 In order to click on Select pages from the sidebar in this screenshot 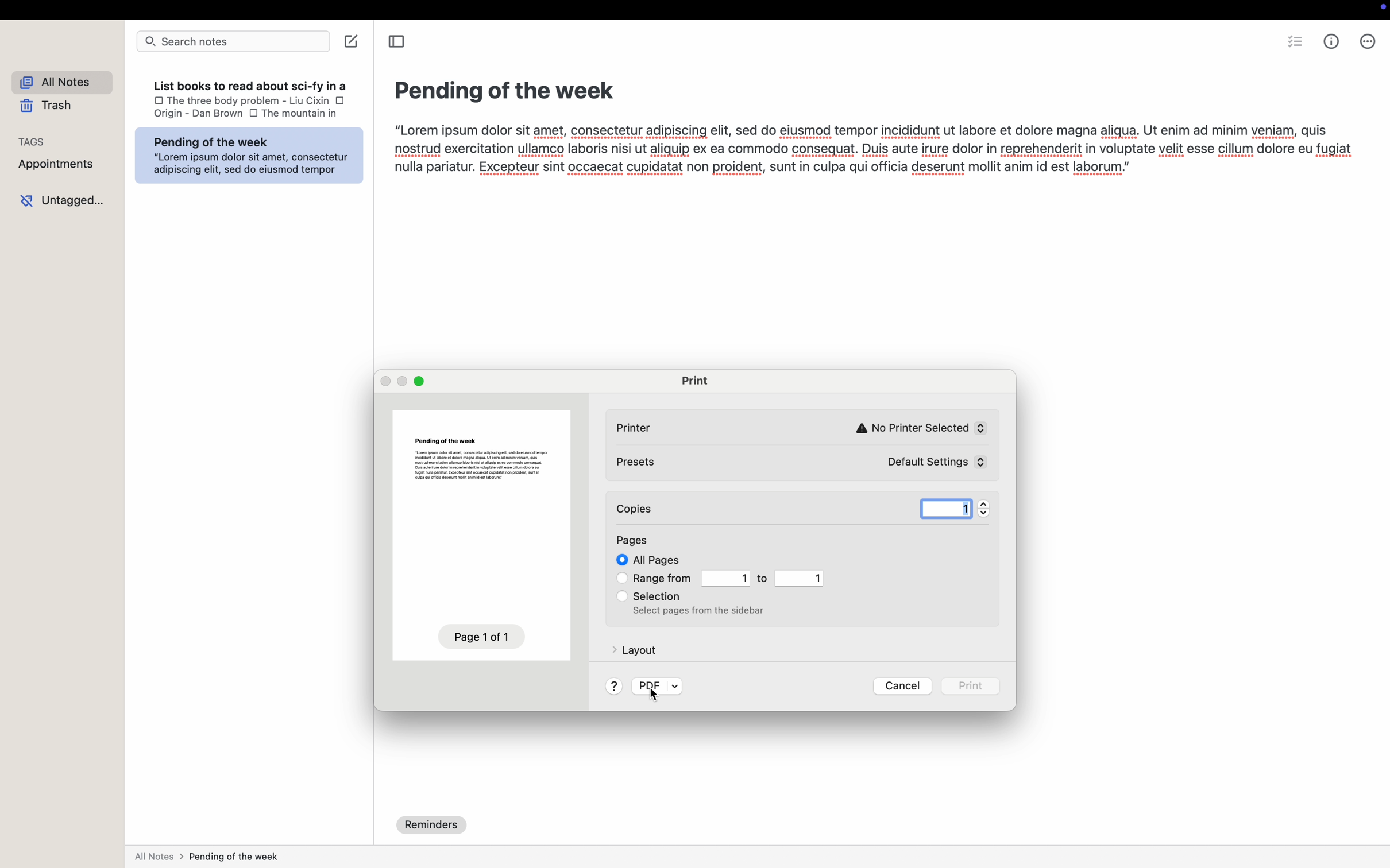, I will do `click(700, 613)`.